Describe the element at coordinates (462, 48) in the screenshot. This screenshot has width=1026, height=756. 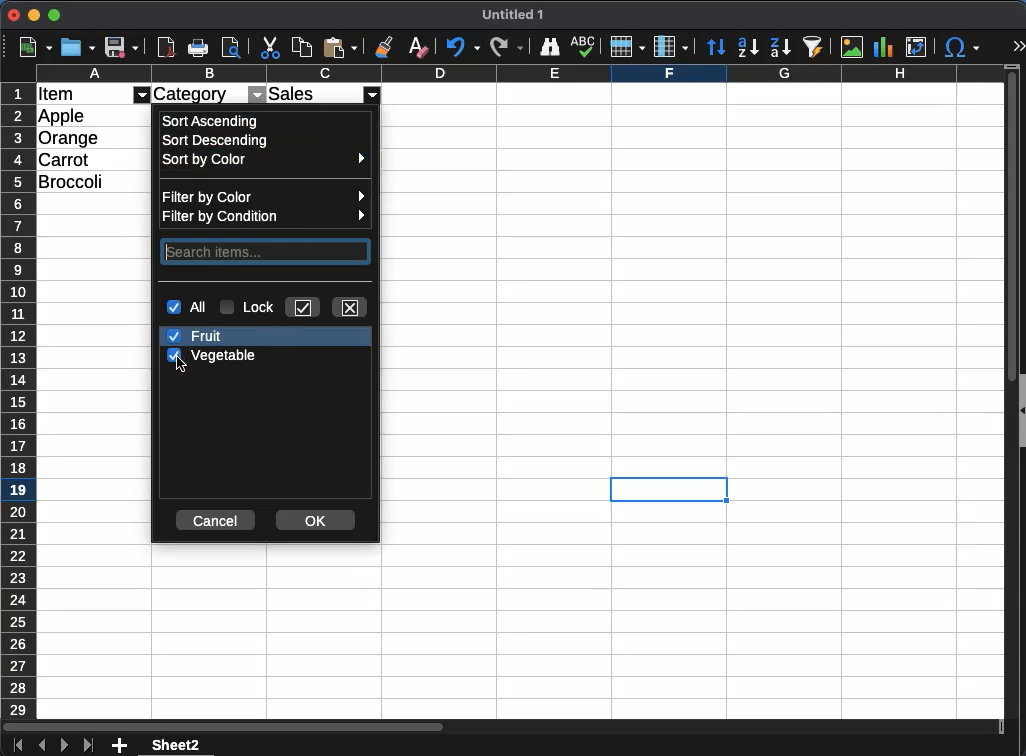
I see `undo` at that location.